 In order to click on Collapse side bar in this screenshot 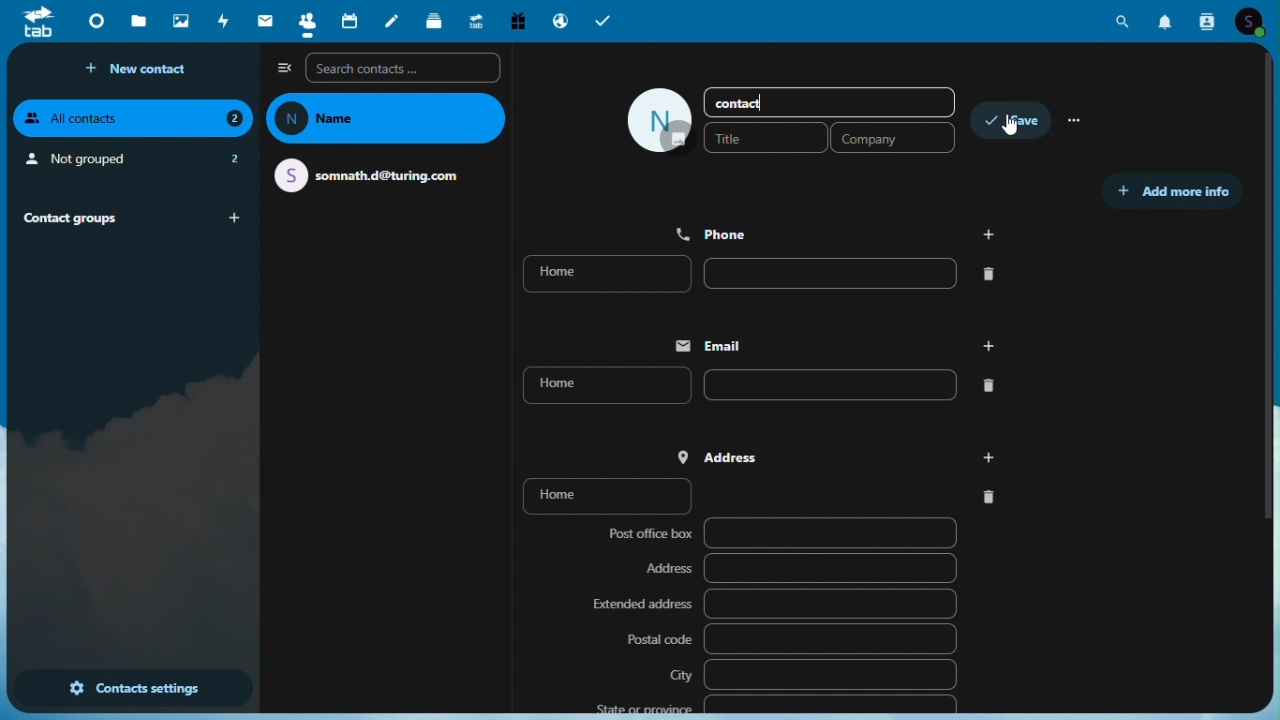, I will do `click(283, 67)`.